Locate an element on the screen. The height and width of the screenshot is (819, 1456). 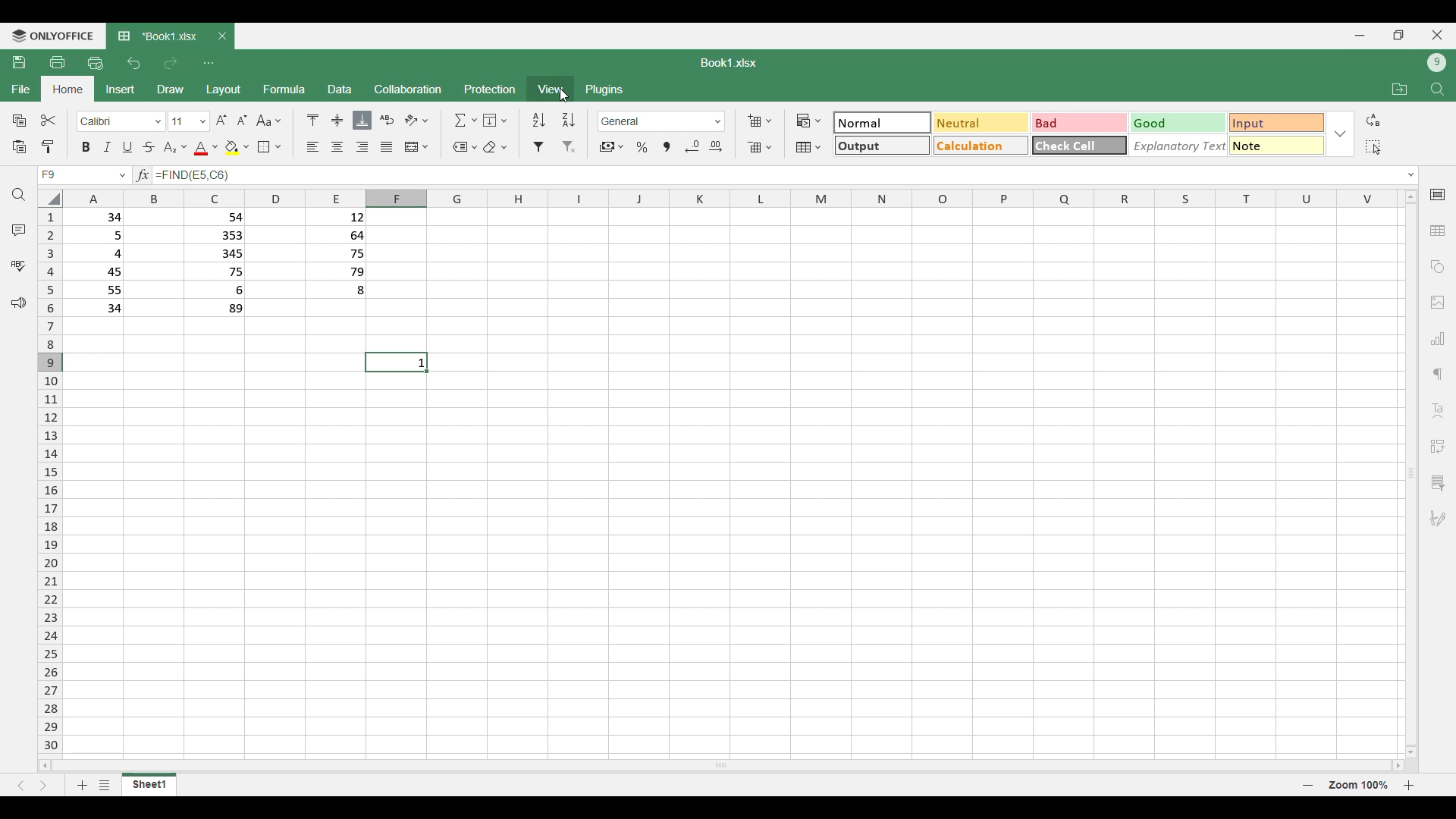
Cut is located at coordinates (48, 120).